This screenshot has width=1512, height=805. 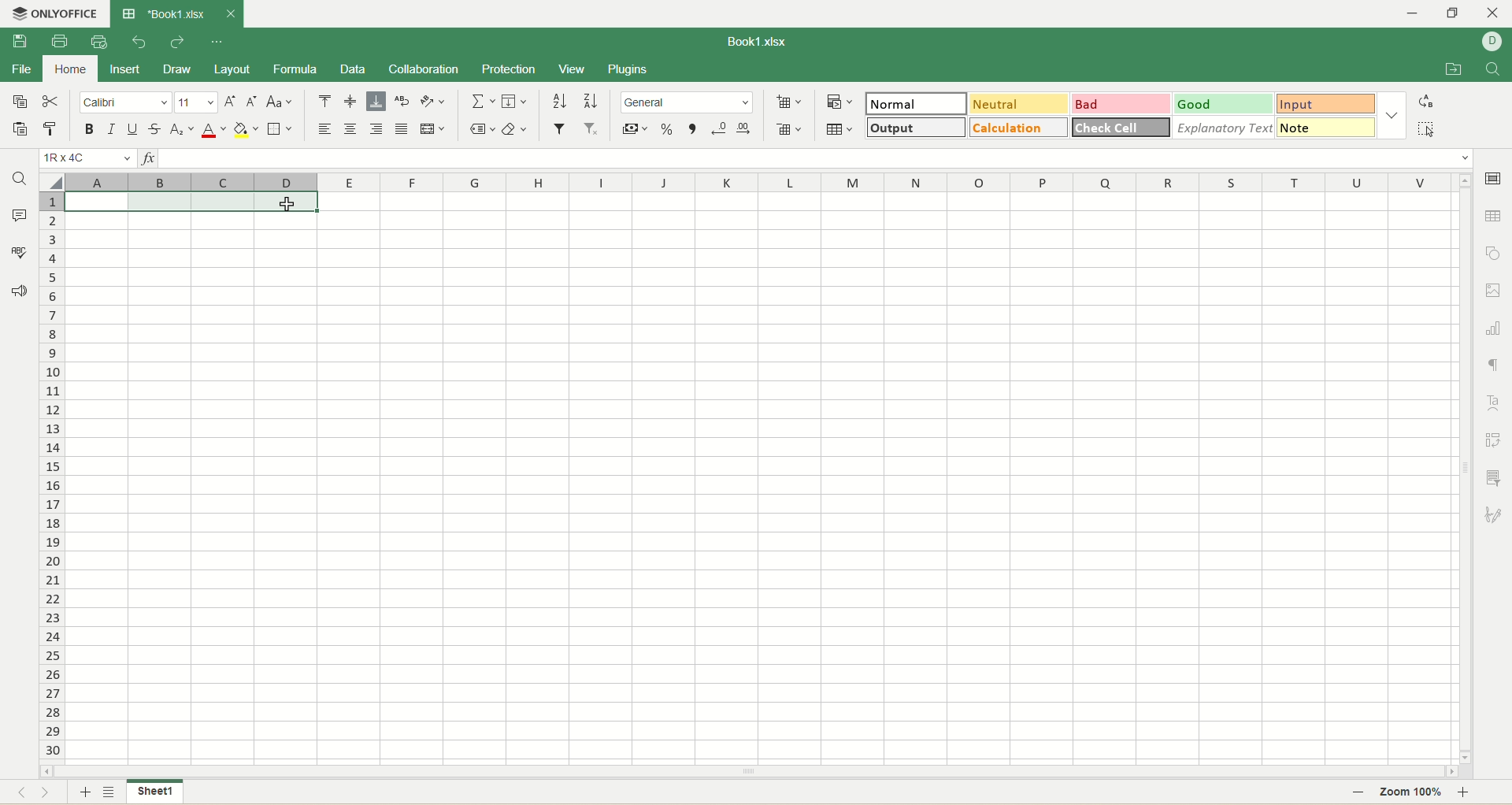 I want to click on cell position, so click(x=89, y=158).